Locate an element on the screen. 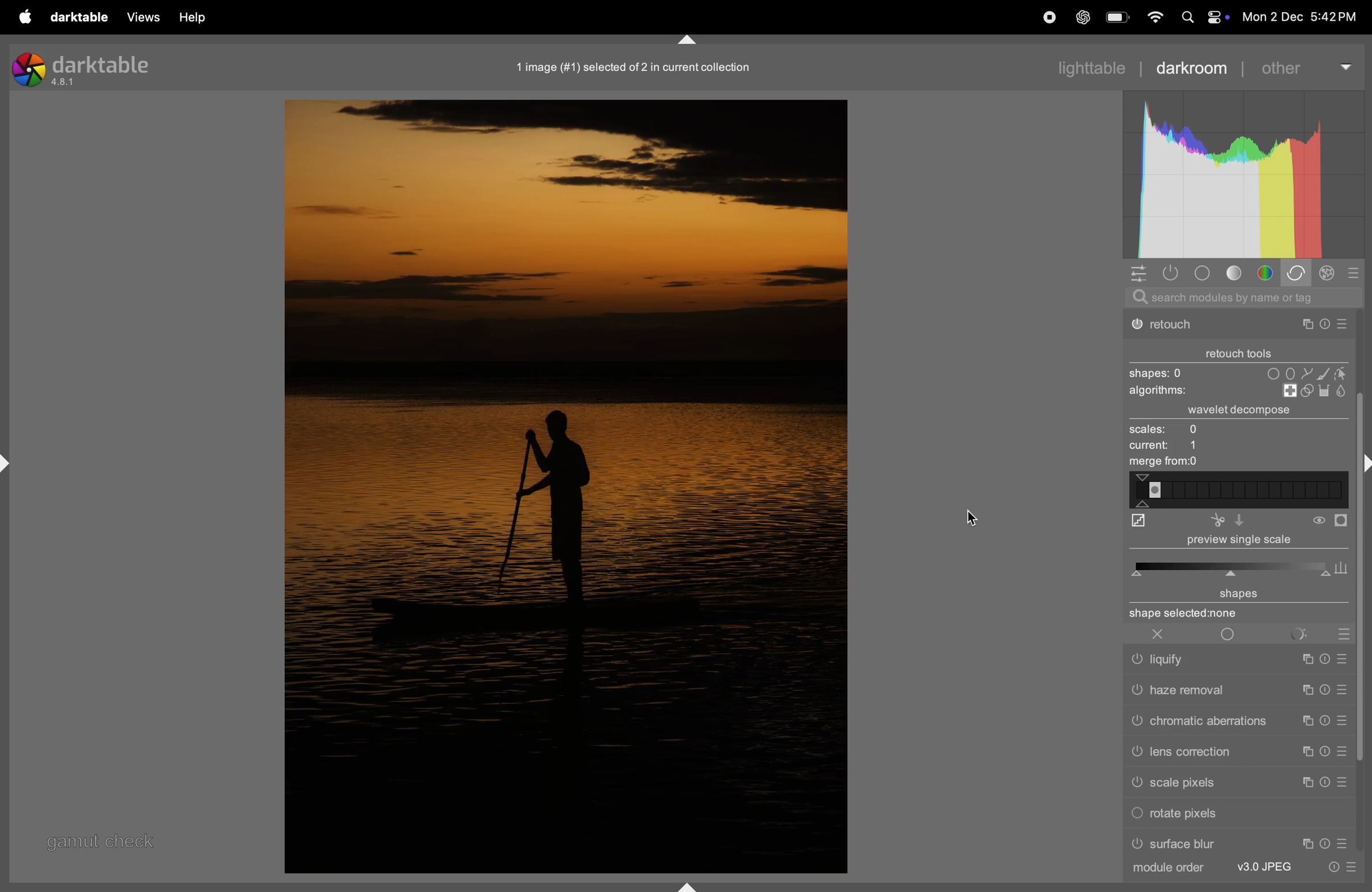  history is located at coordinates (1330, 875).